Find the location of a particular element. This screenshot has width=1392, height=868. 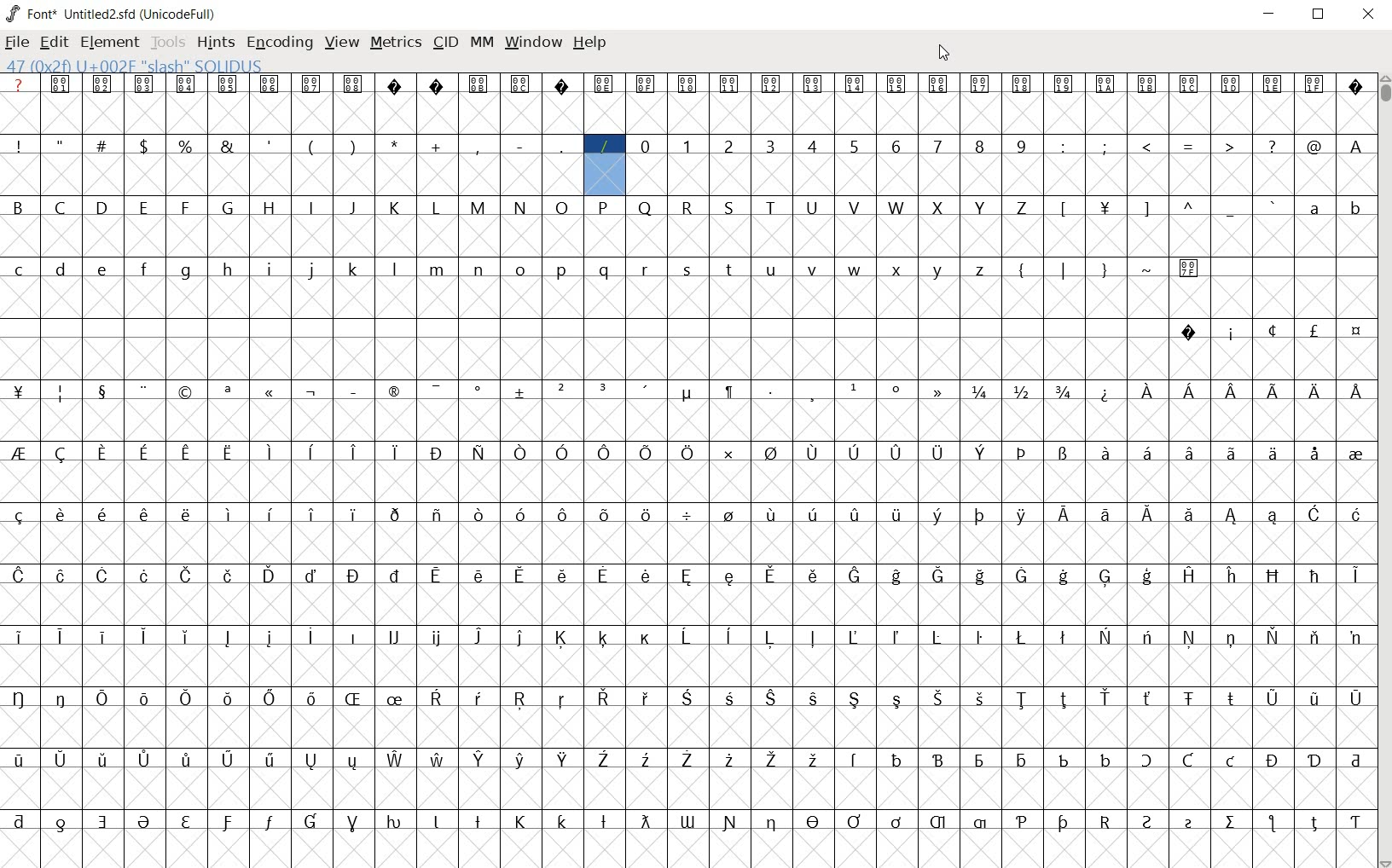

glyph is located at coordinates (564, 759).